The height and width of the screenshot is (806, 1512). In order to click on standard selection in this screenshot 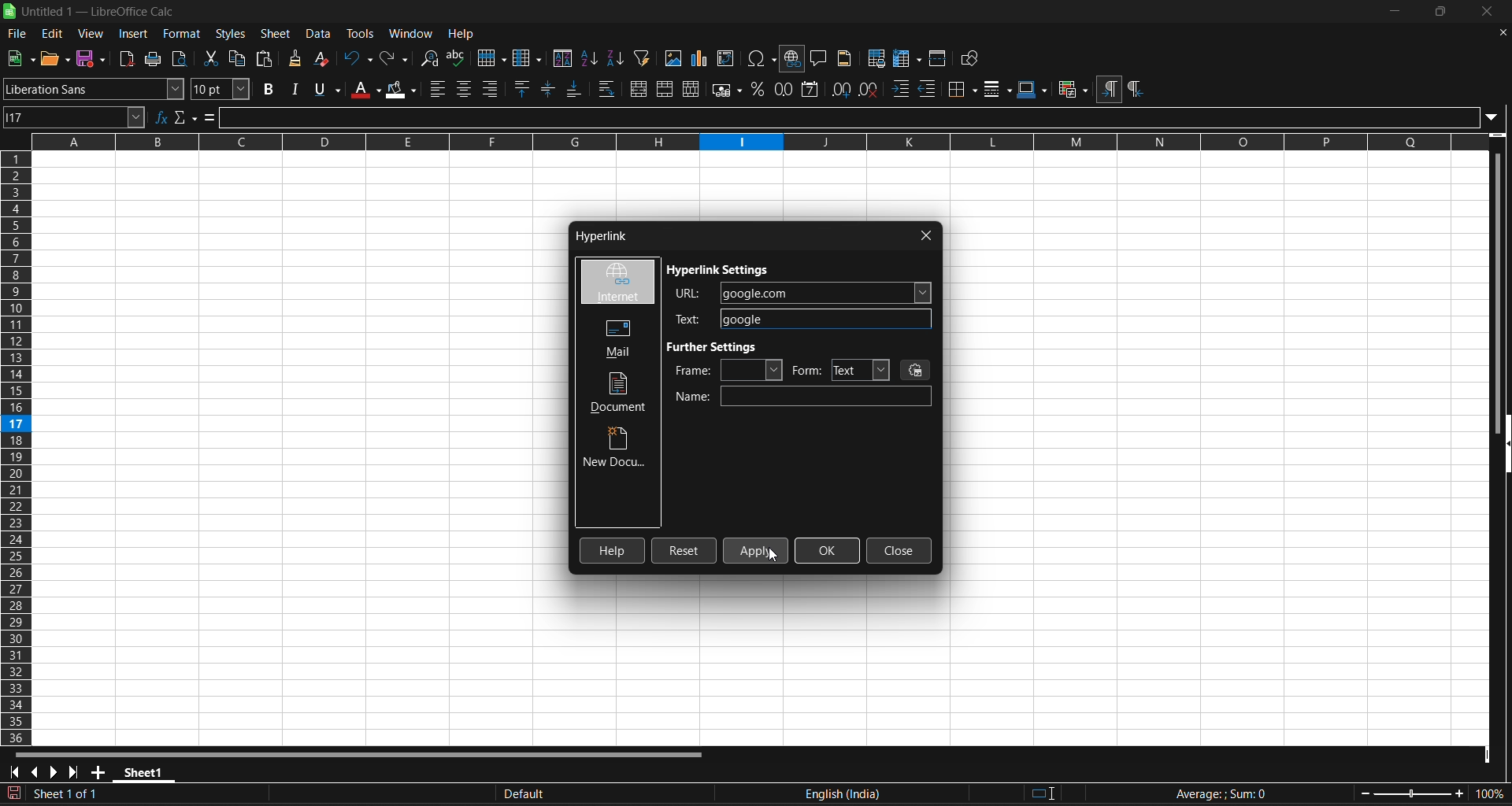, I will do `click(1045, 794)`.